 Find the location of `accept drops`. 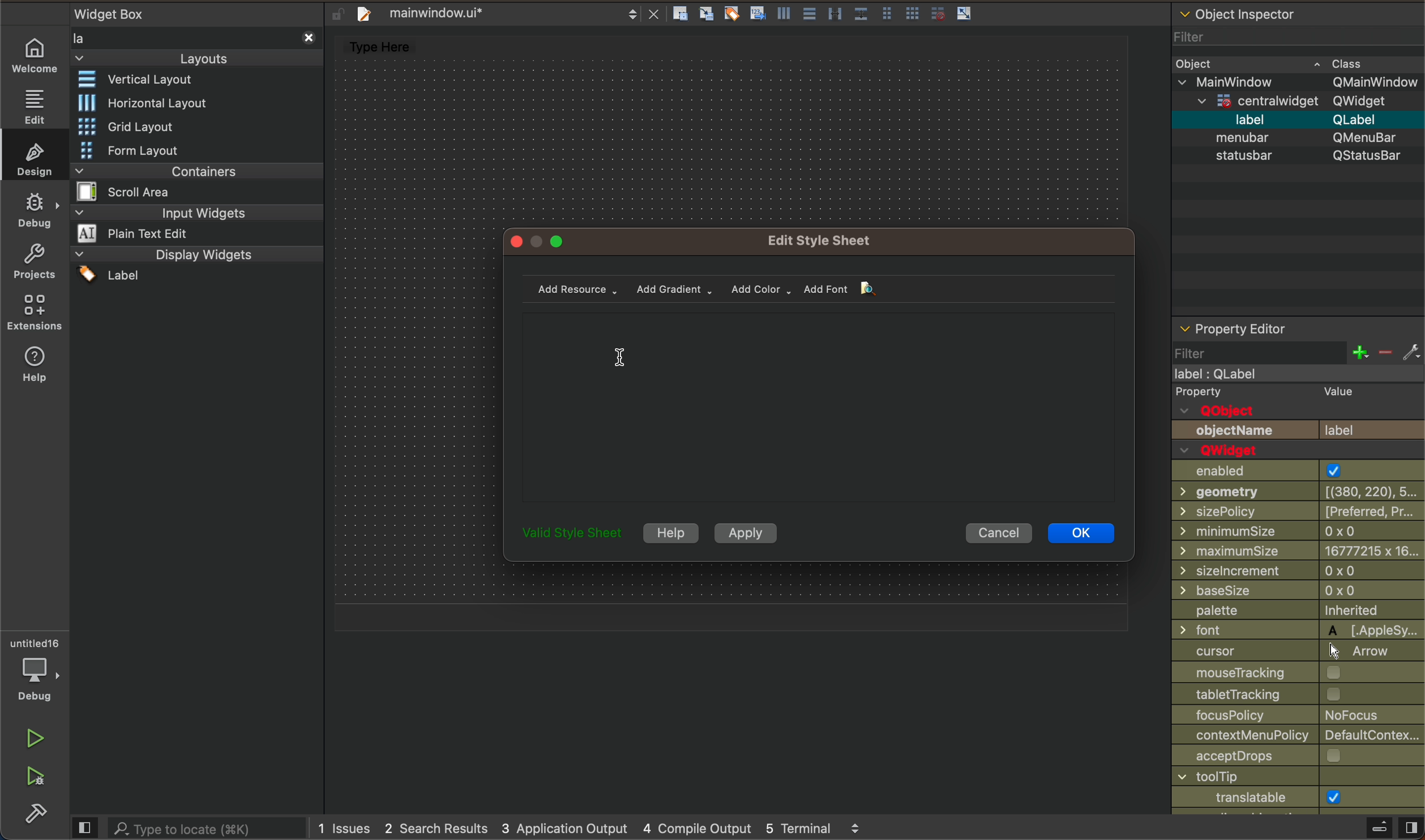

accept drops is located at coordinates (1274, 757).